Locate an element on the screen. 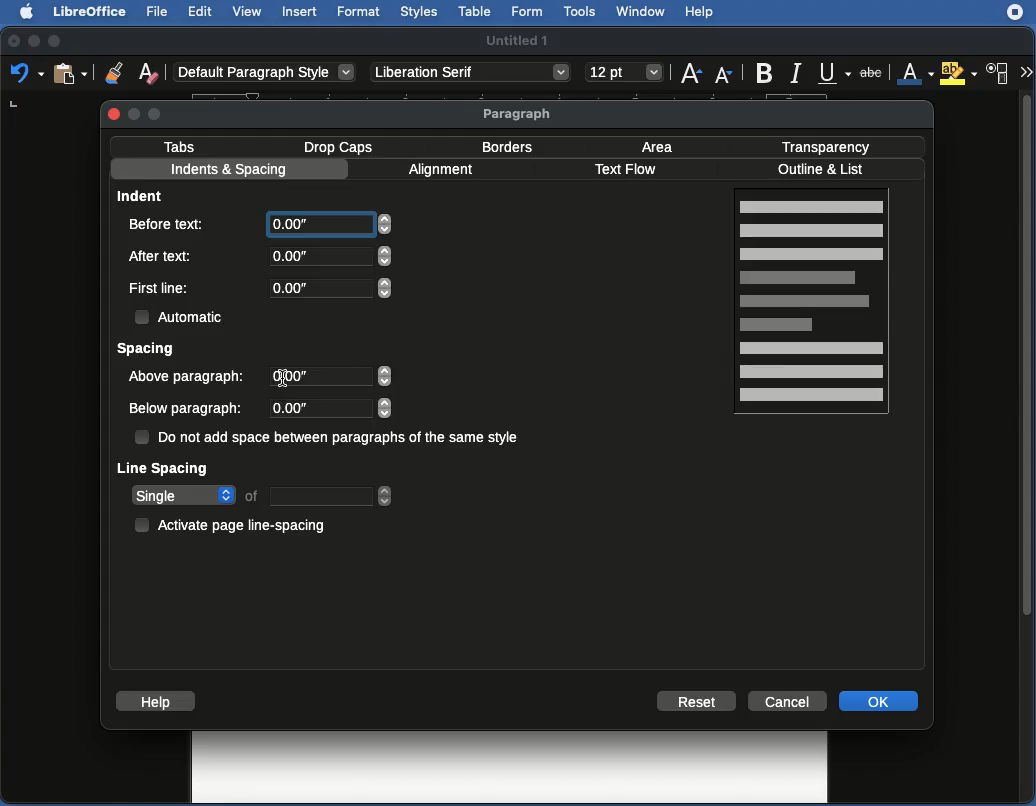 The image size is (1036, 806). More is located at coordinates (1025, 70).